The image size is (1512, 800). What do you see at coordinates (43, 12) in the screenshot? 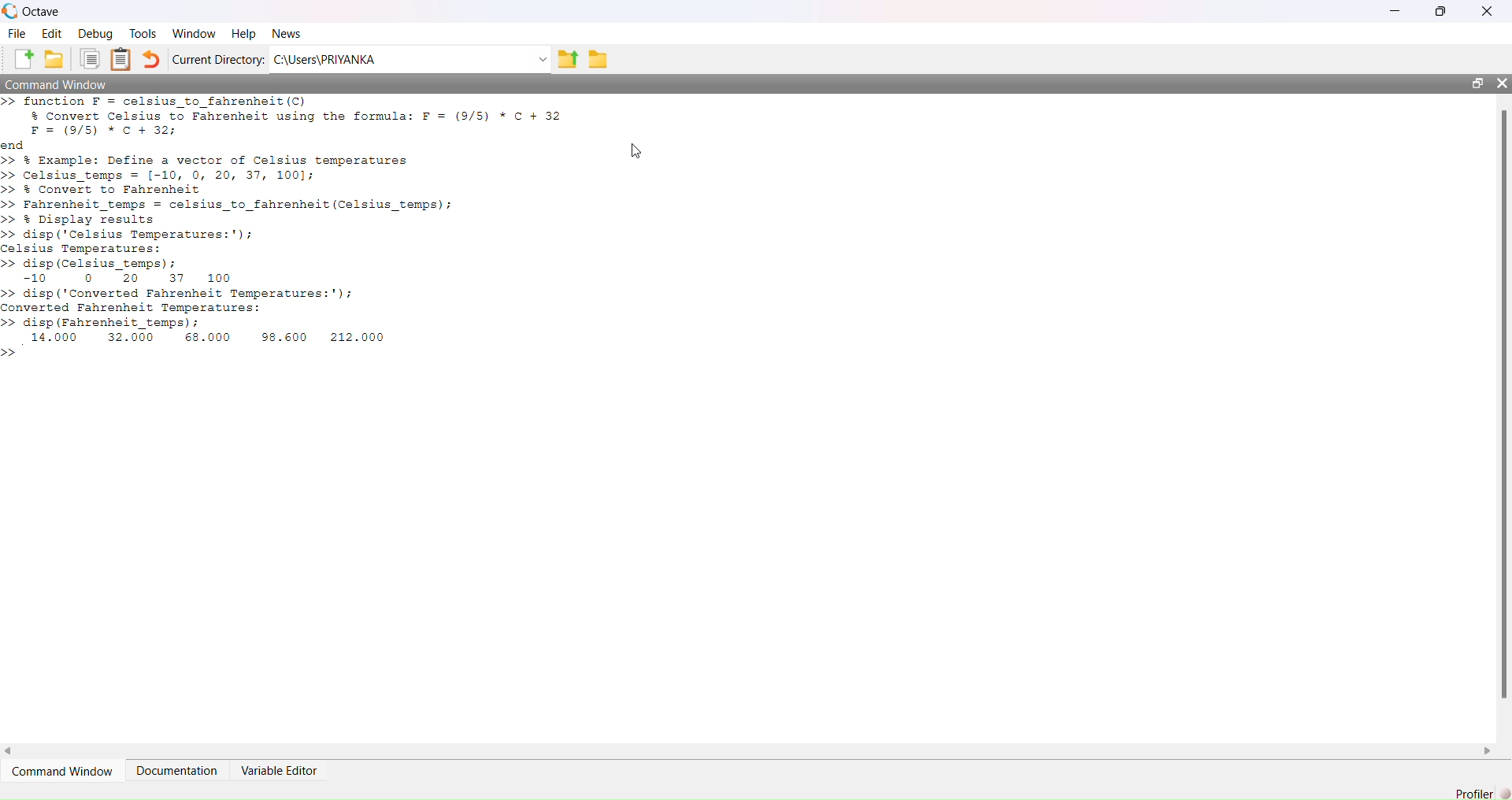
I see `Octave` at bounding box center [43, 12].